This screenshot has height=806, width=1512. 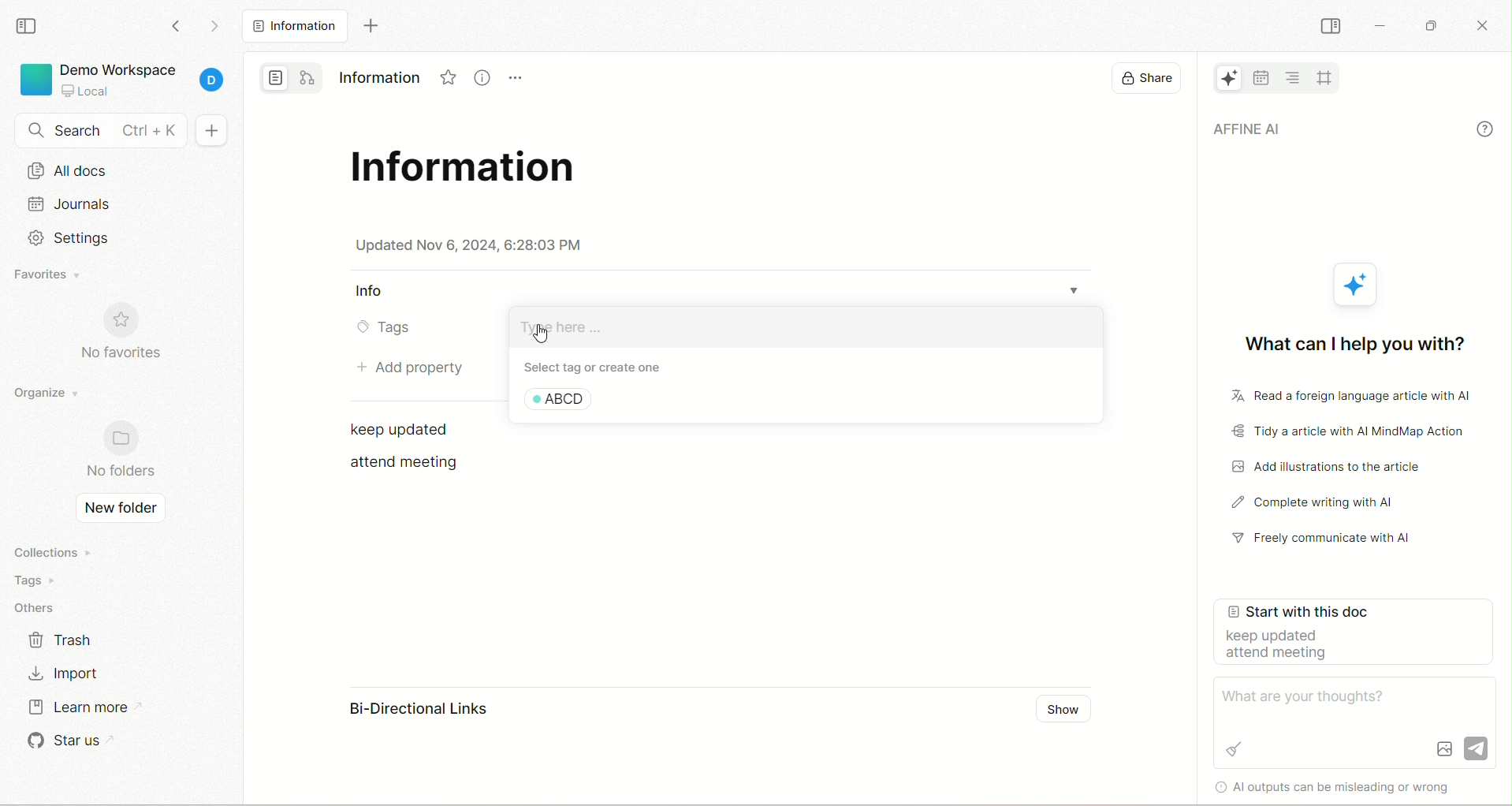 What do you see at coordinates (293, 26) in the screenshot?
I see `new tab` at bounding box center [293, 26].